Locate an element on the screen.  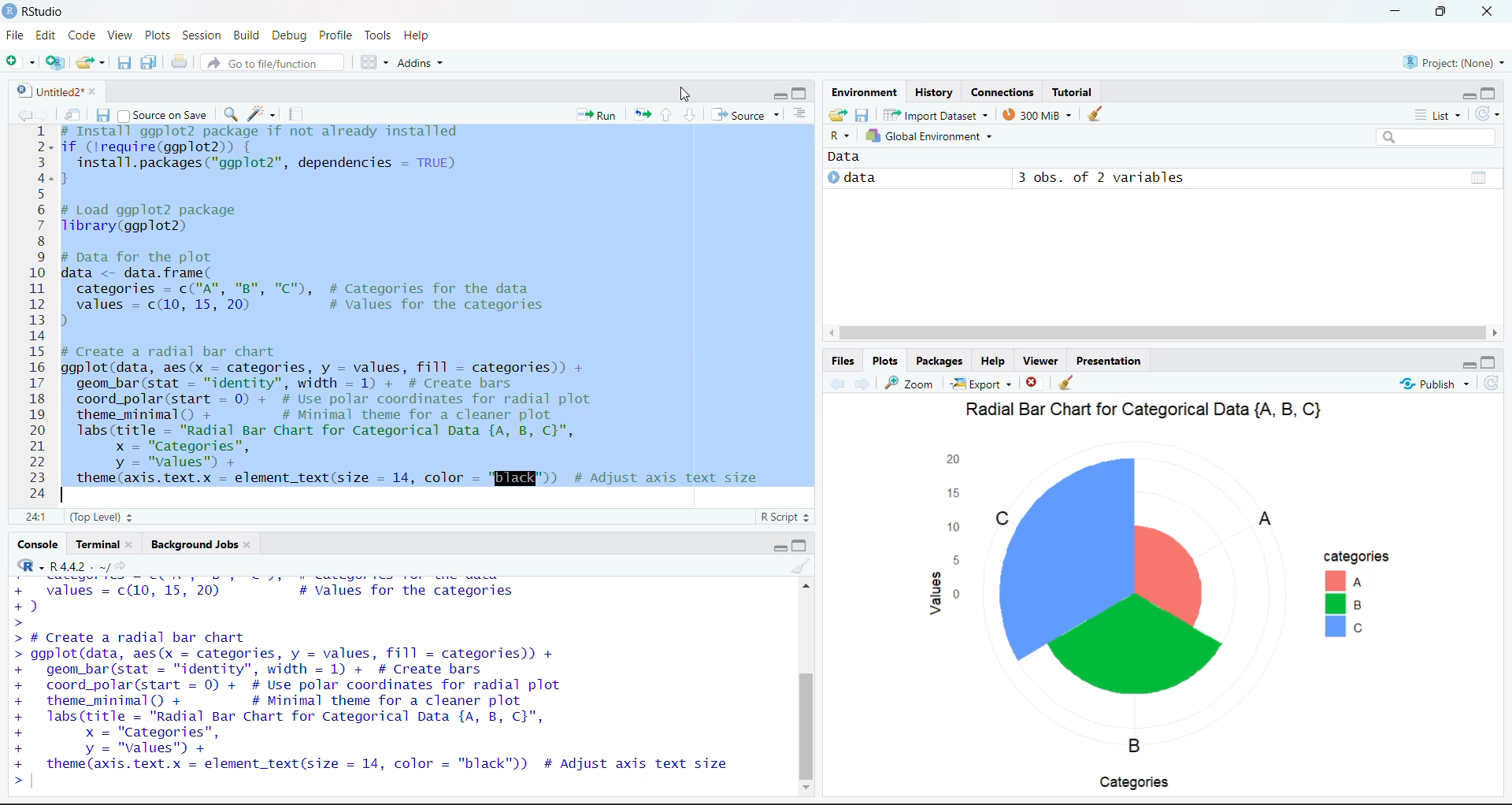
save all open documents is located at coordinates (148, 61).